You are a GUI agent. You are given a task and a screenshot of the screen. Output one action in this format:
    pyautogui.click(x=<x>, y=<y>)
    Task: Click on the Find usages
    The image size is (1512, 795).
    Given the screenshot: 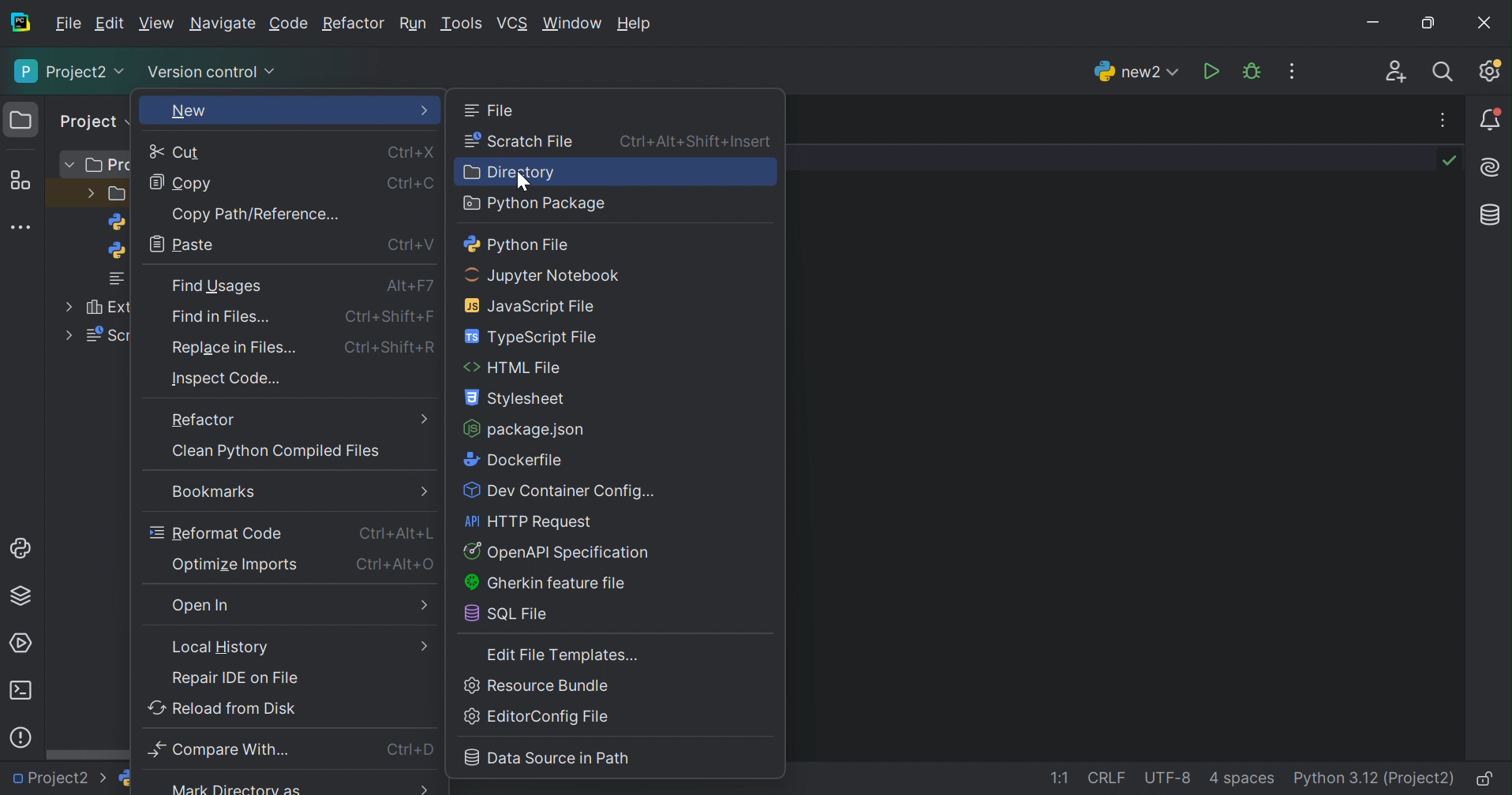 What is the action you would take?
    pyautogui.click(x=219, y=286)
    